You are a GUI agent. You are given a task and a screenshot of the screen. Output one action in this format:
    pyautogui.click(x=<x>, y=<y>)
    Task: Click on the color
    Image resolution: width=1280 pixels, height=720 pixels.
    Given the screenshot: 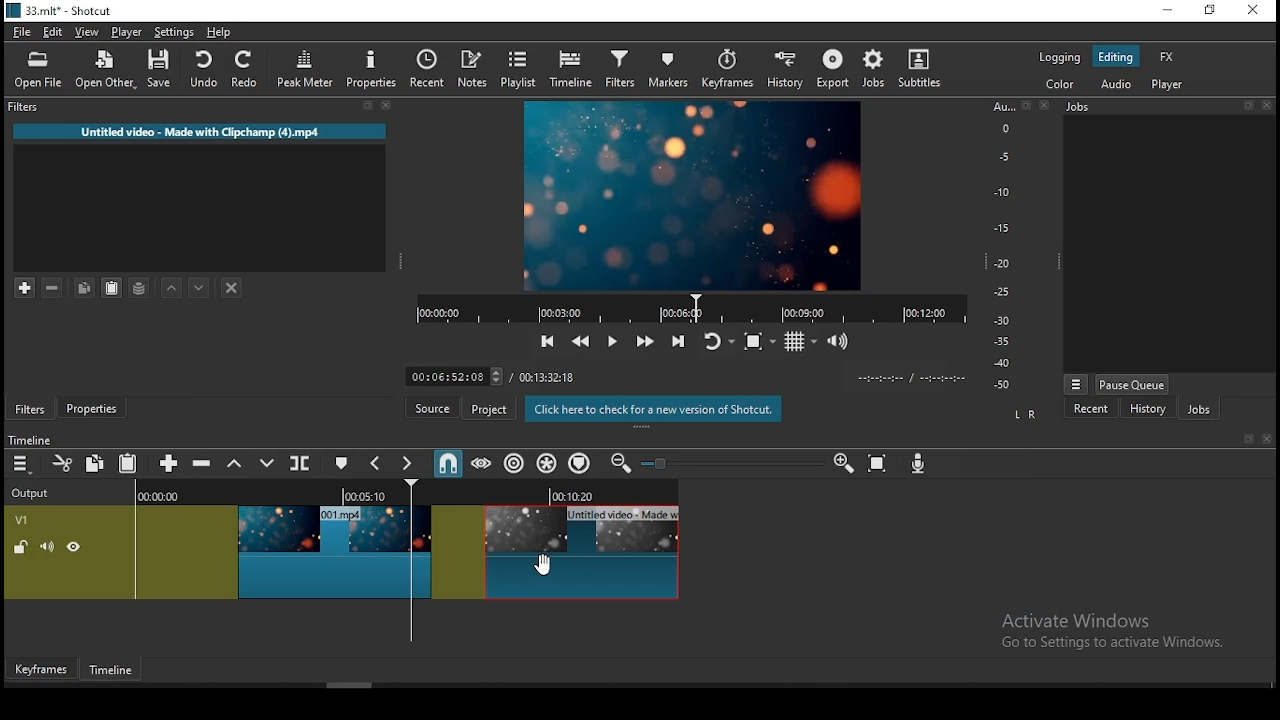 What is the action you would take?
    pyautogui.click(x=1051, y=86)
    